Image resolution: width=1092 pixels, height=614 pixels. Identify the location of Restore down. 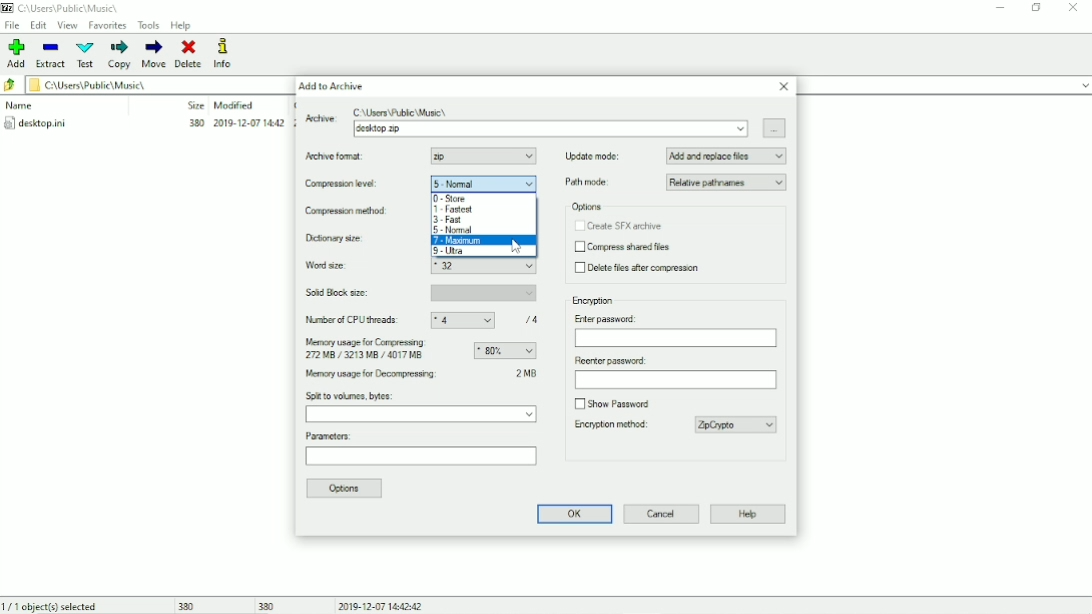
(1038, 7).